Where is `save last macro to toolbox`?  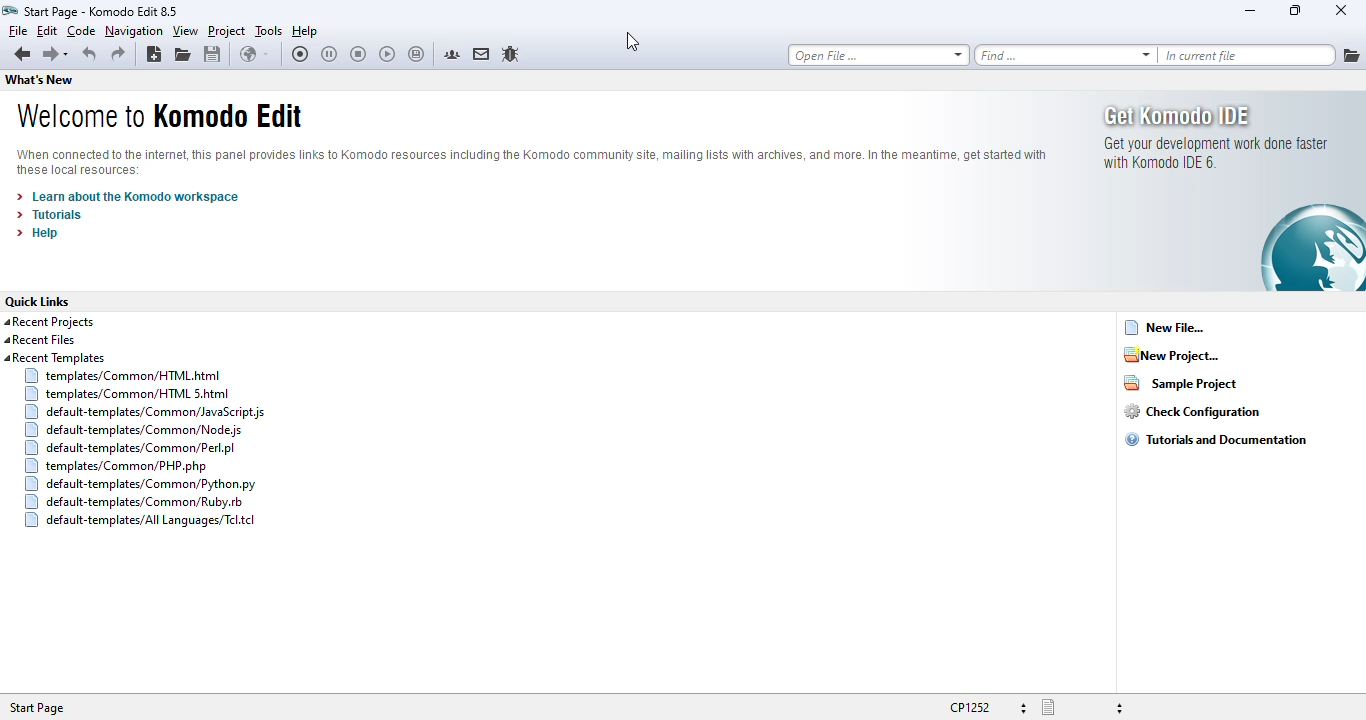
save last macro to toolbox is located at coordinates (417, 55).